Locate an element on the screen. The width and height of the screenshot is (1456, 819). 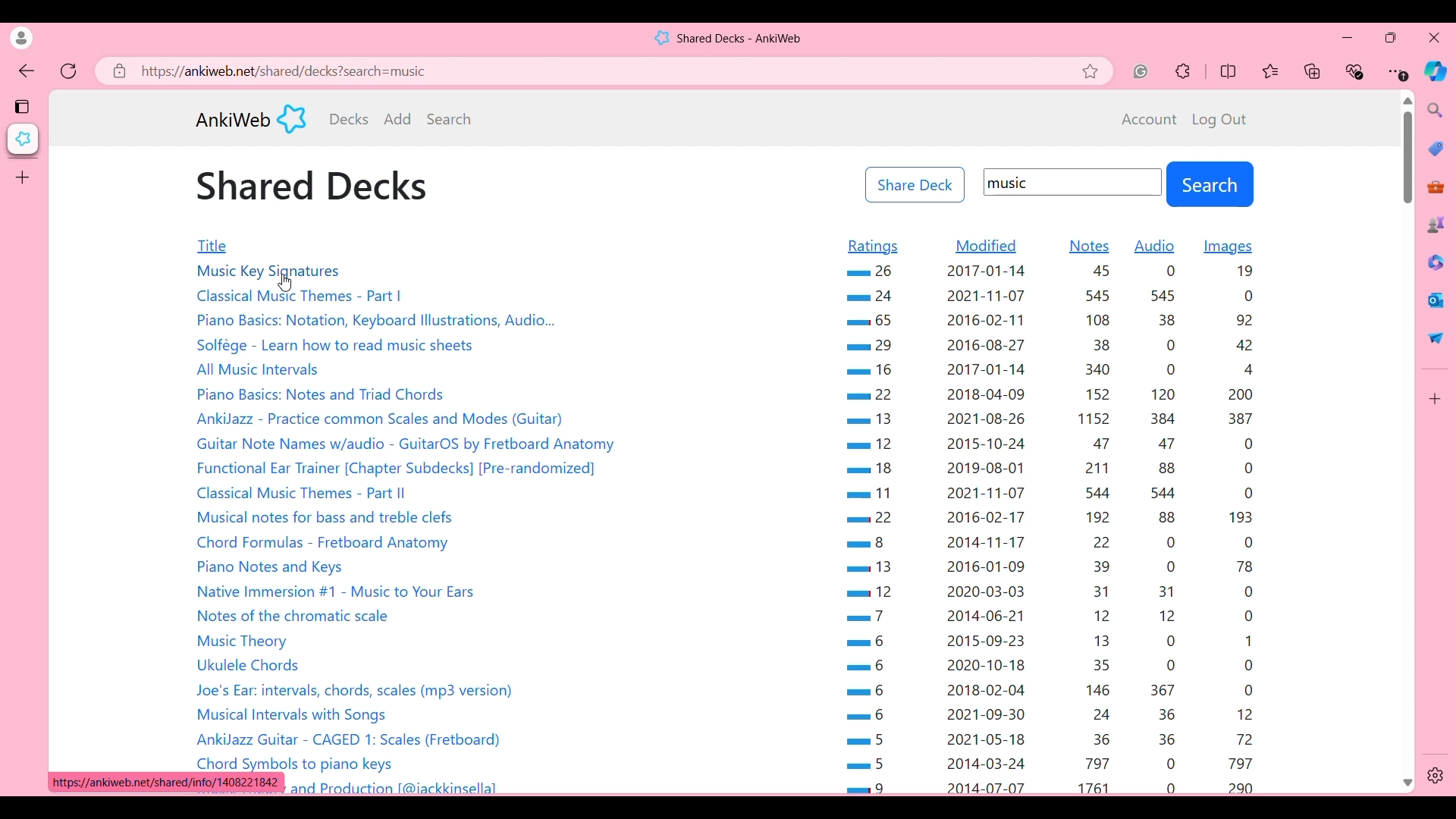
Musical notes for bass and treble clefs is located at coordinates (325, 518).